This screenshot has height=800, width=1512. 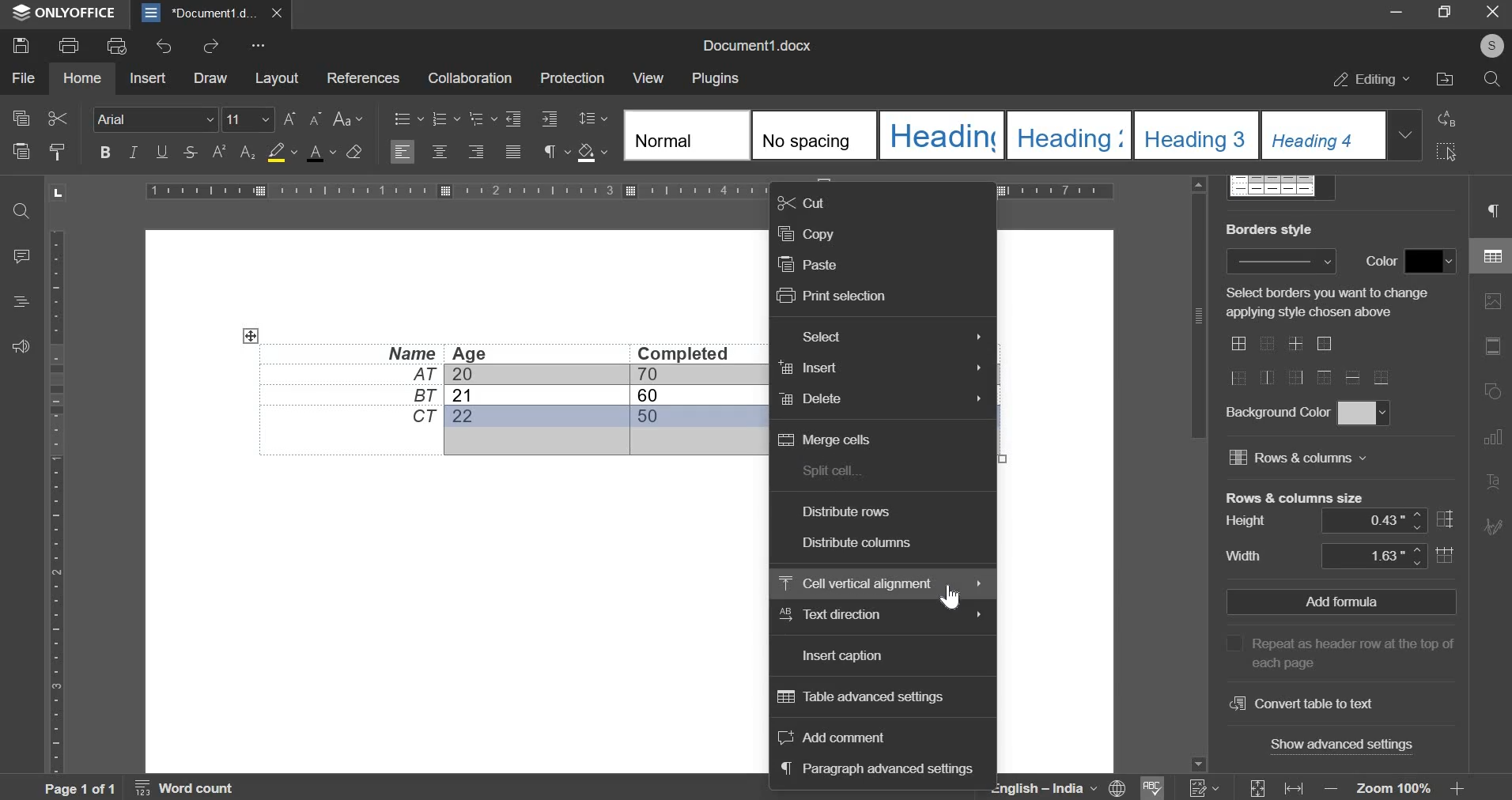 What do you see at coordinates (550, 117) in the screenshot?
I see `decrease indent` at bounding box center [550, 117].